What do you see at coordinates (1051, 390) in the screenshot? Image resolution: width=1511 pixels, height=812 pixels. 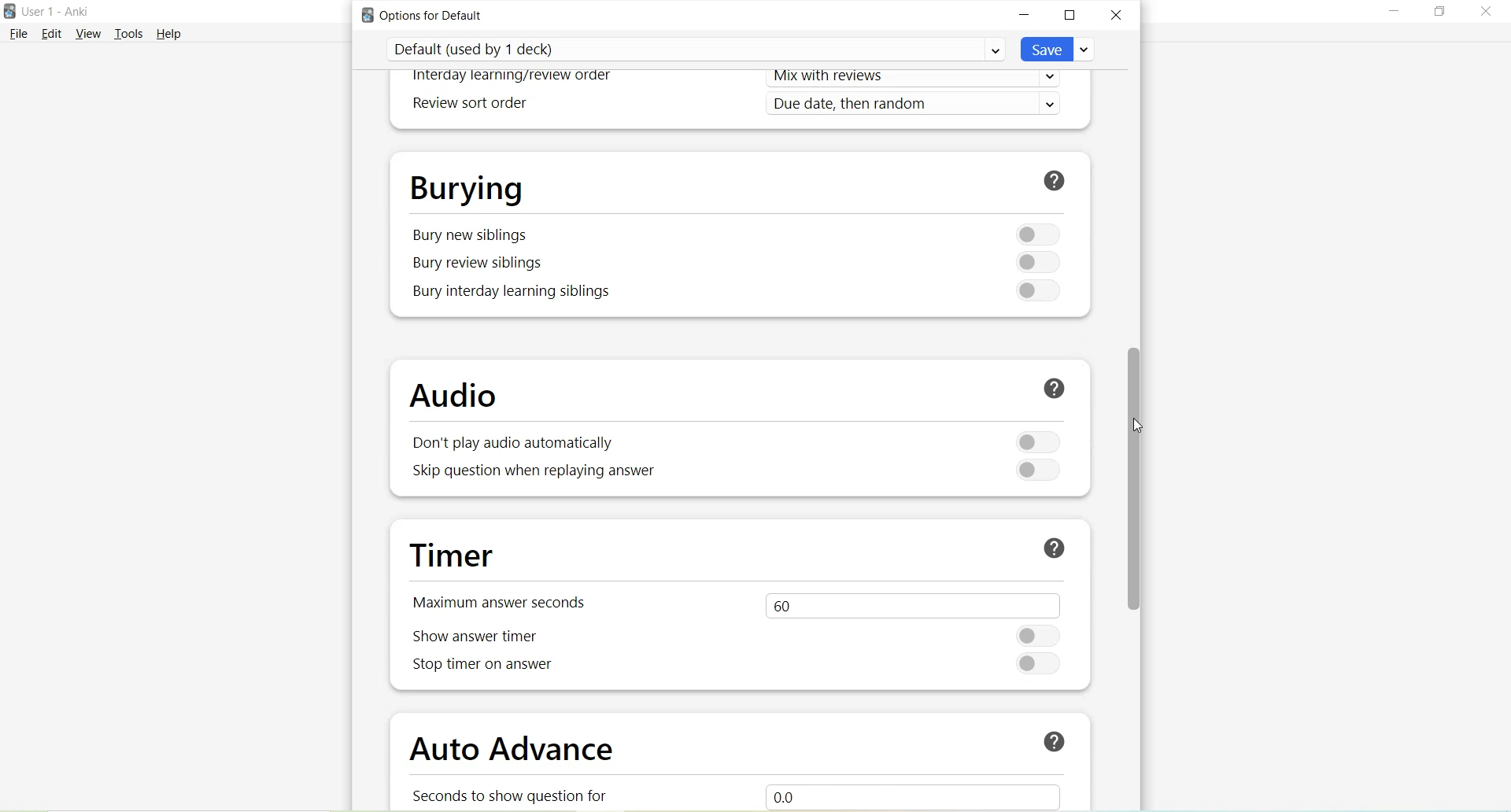 I see `What's this?` at bounding box center [1051, 390].